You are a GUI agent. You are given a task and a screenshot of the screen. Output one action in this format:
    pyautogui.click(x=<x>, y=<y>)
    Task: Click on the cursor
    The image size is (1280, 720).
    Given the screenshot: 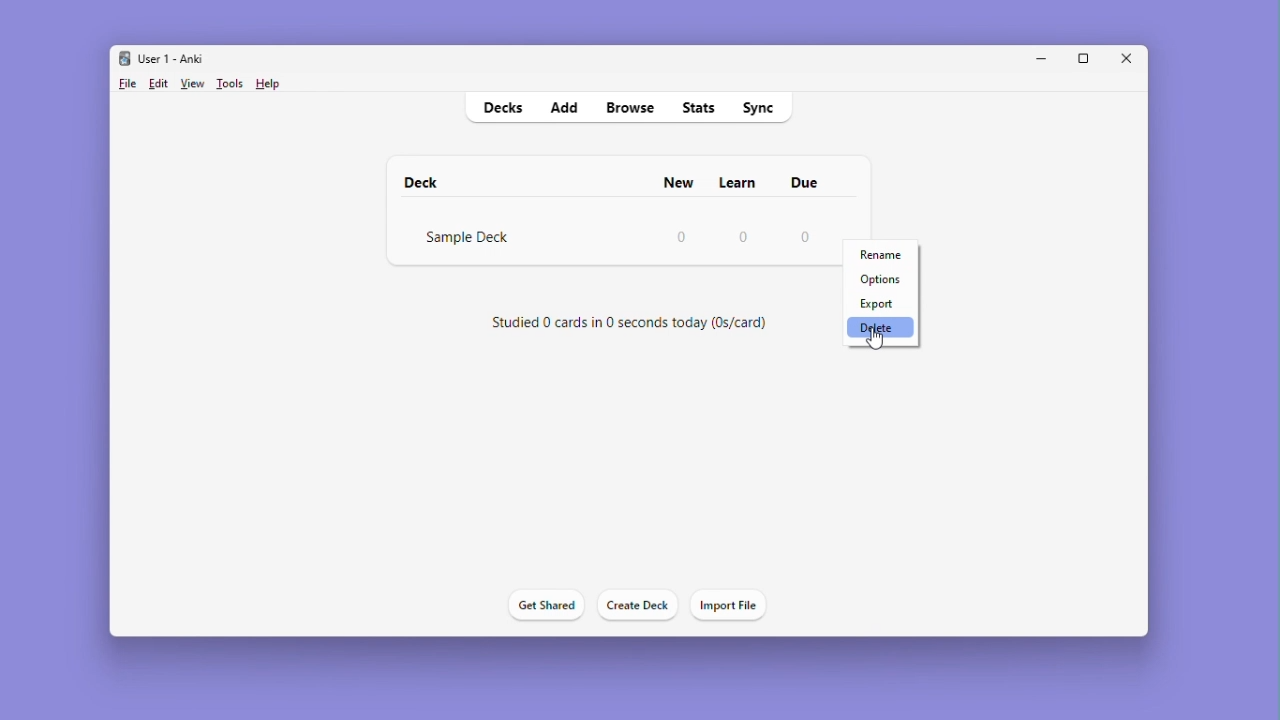 What is the action you would take?
    pyautogui.click(x=878, y=343)
    